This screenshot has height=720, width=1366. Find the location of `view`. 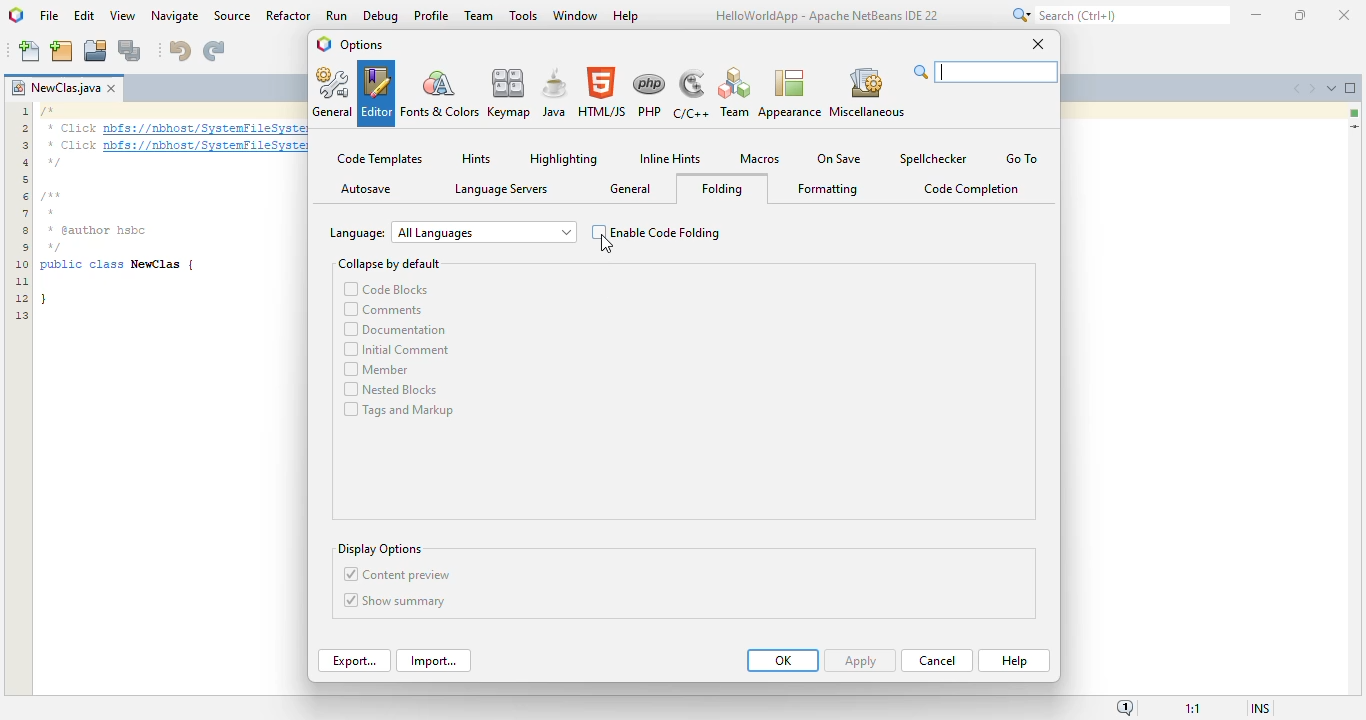

view is located at coordinates (123, 15).